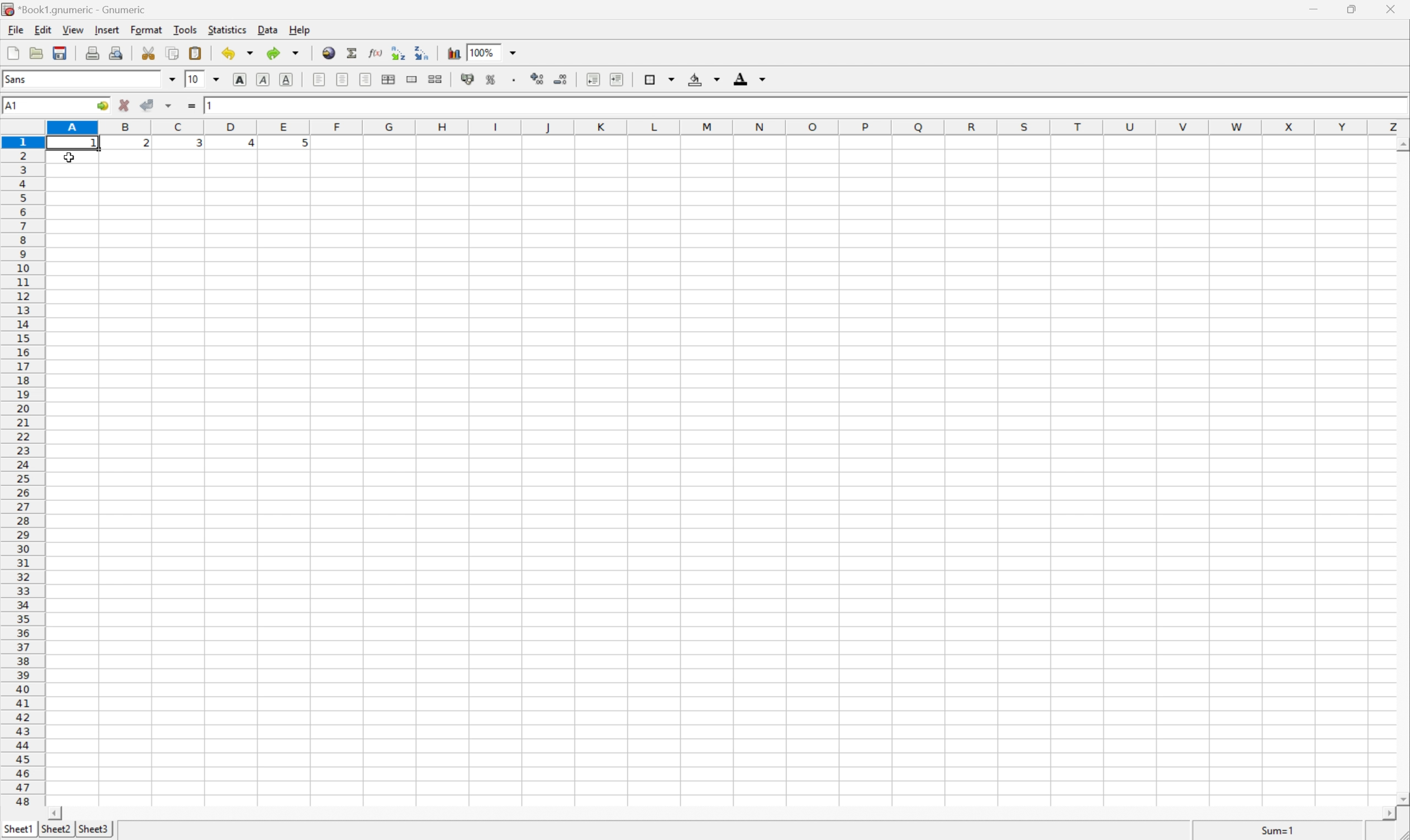  Describe the element at coordinates (399, 51) in the screenshot. I see `Sort the selected region in ascending order based on the first column selected` at that location.